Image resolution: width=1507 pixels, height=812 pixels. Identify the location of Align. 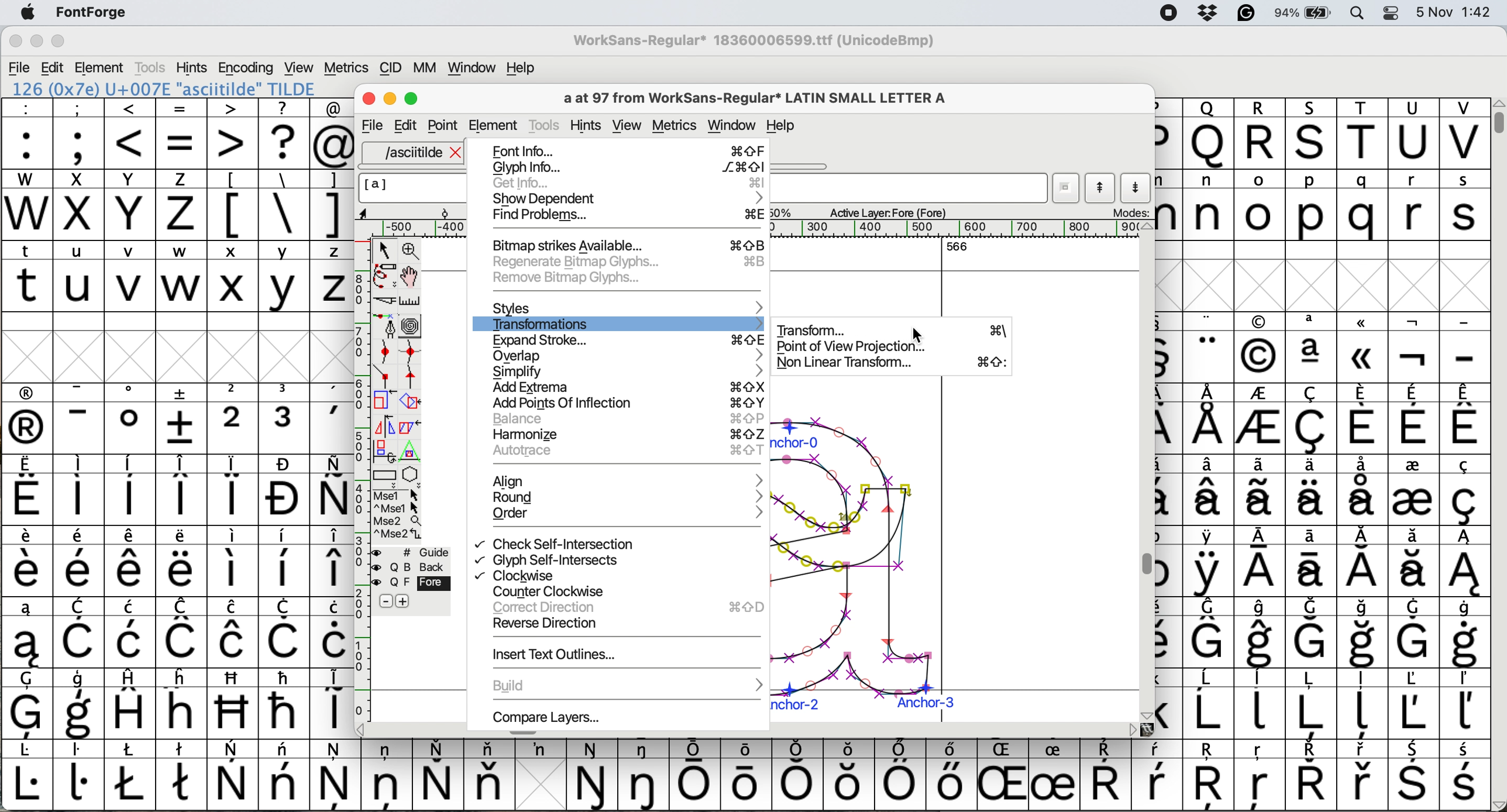
(629, 480).